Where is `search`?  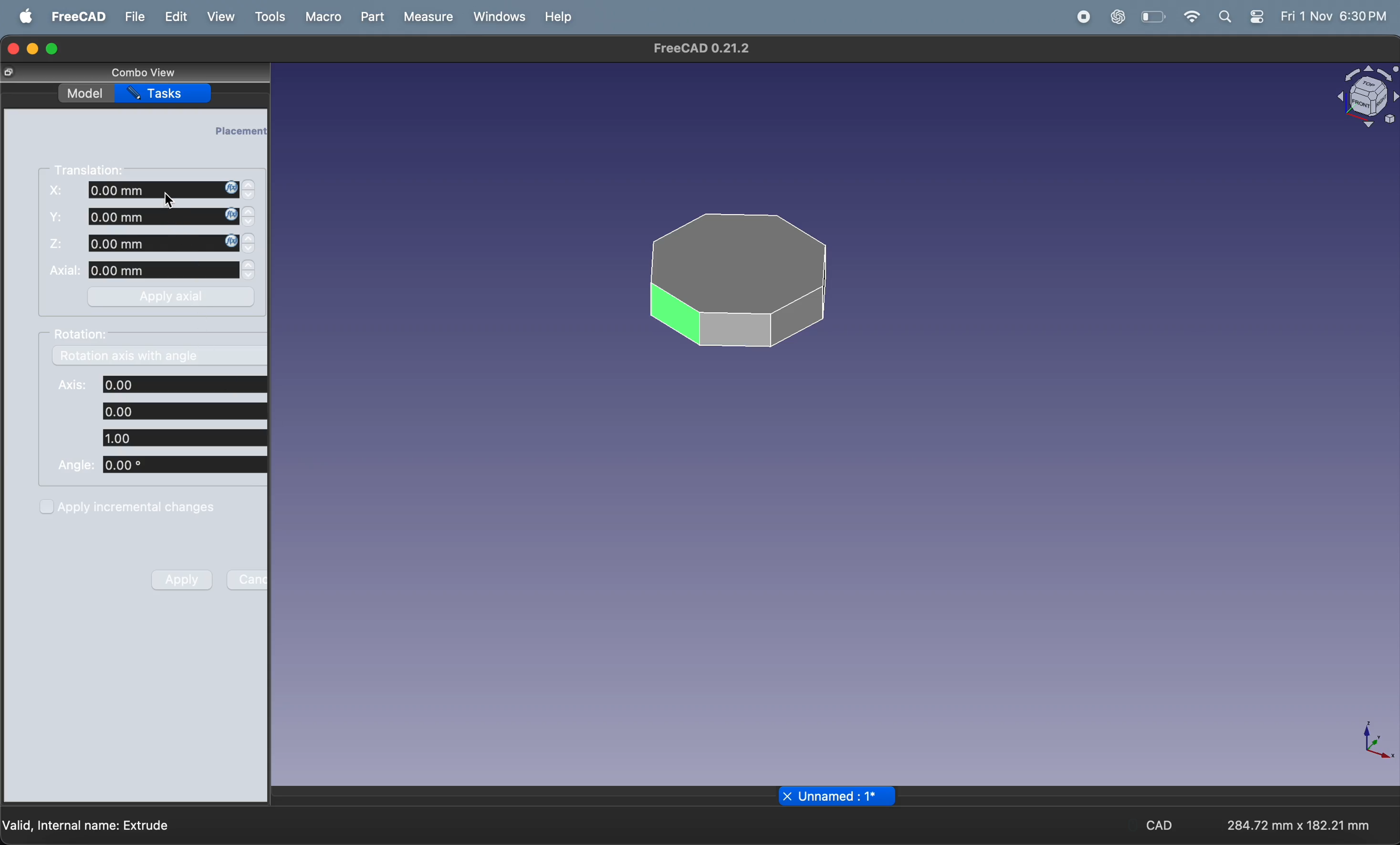 search is located at coordinates (1226, 16).